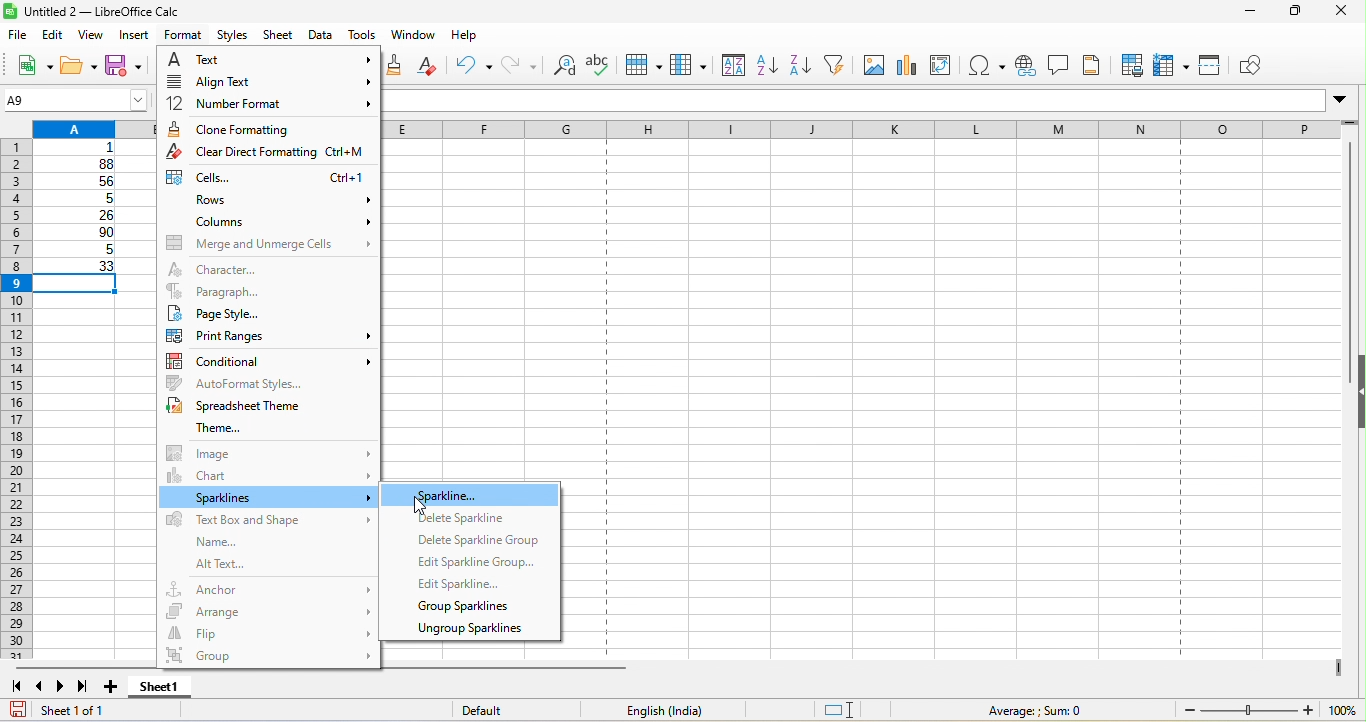 This screenshot has width=1366, height=722. What do you see at coordinates (1058, 65) in the screenshot?
I see `comment` at bounding box center [1058, 65].